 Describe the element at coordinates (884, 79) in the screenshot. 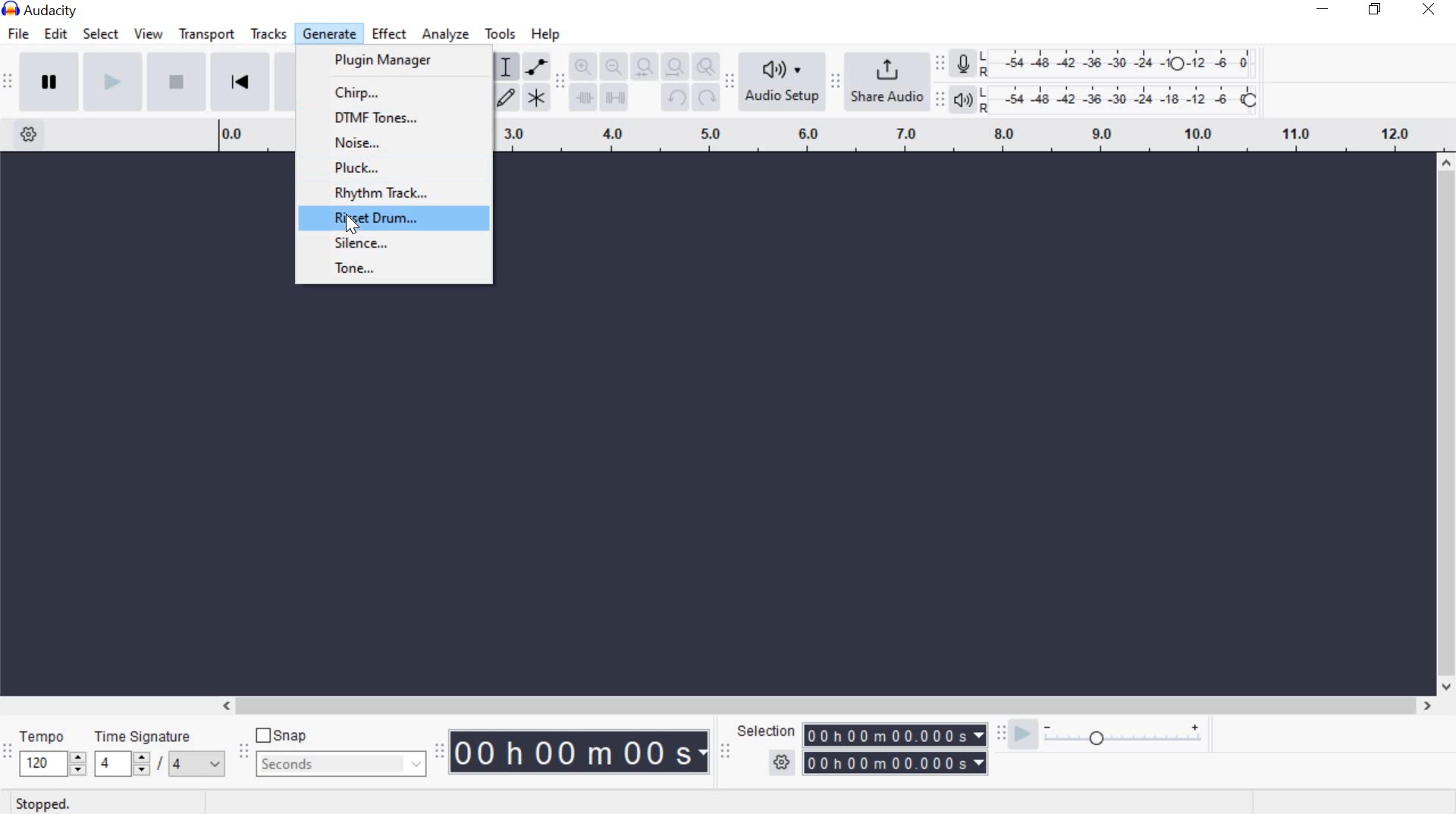

I see `Share Audio` at that location.